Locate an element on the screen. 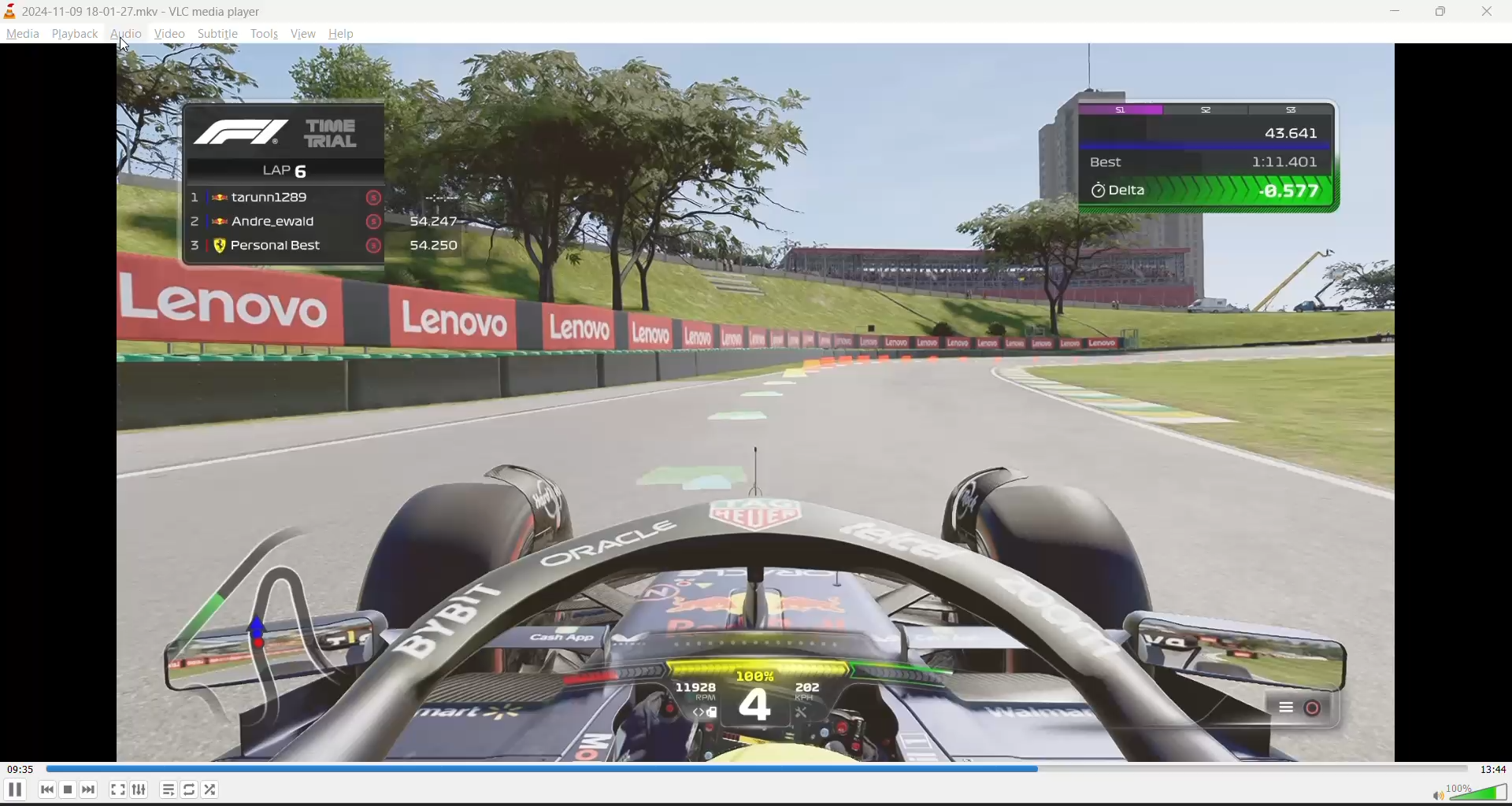  help is located at coordinates (338, 35).